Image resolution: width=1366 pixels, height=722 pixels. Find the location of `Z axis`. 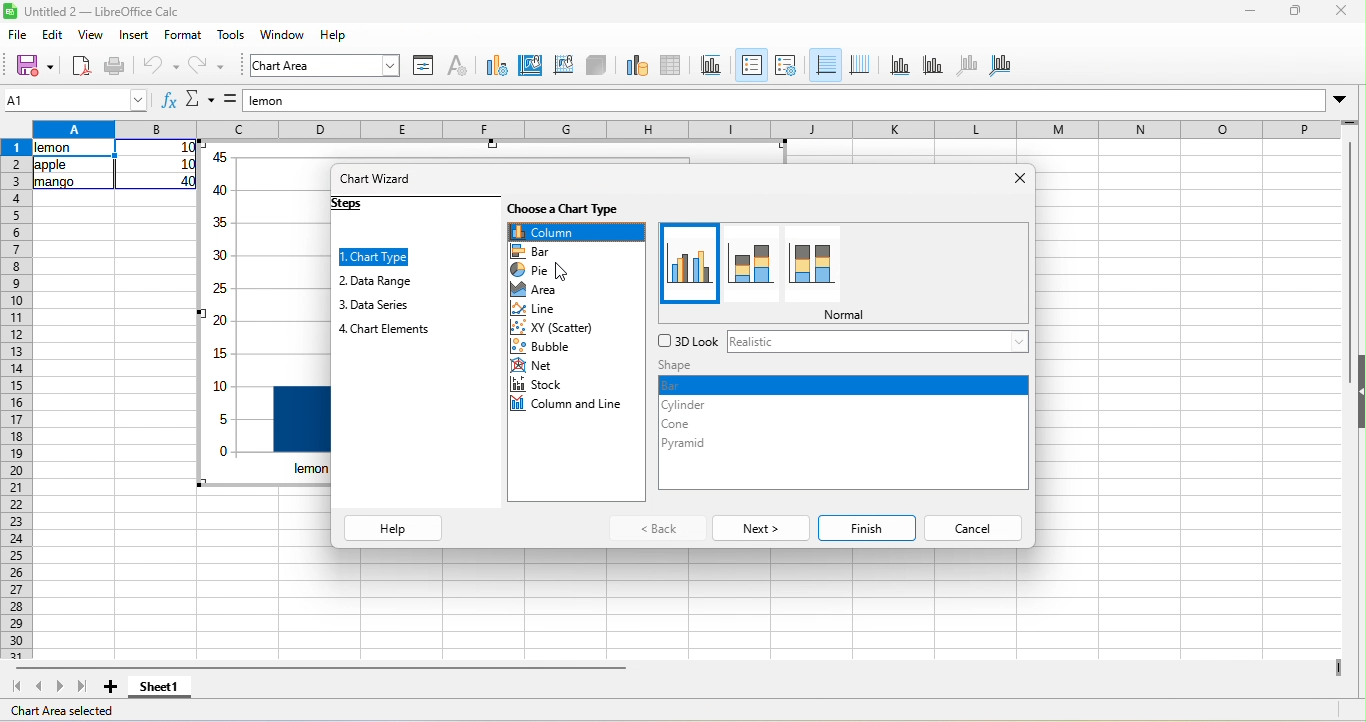

Z axis is located at coordinates (969, 66).